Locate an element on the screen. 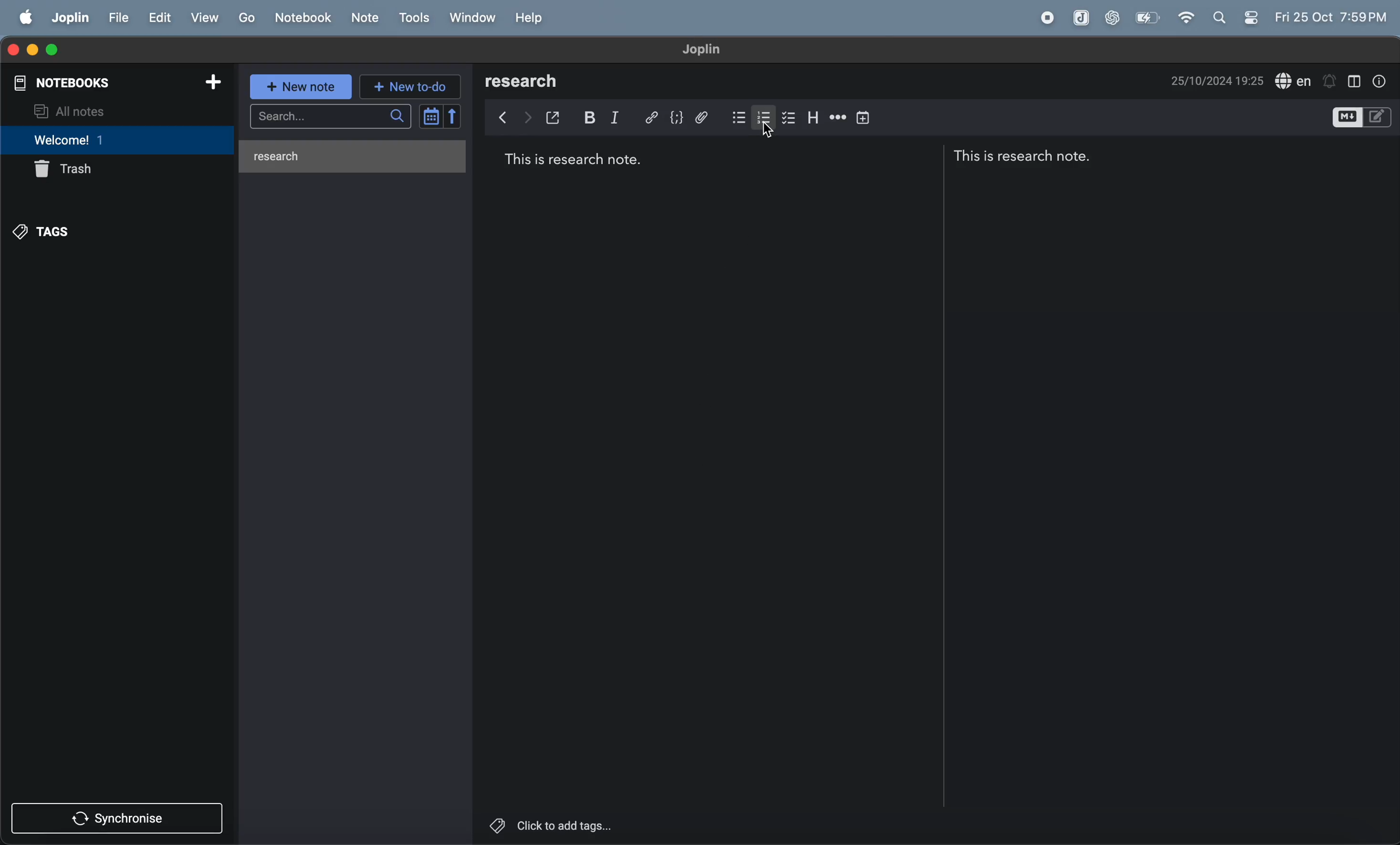  window is located at coordinates (470, 18).